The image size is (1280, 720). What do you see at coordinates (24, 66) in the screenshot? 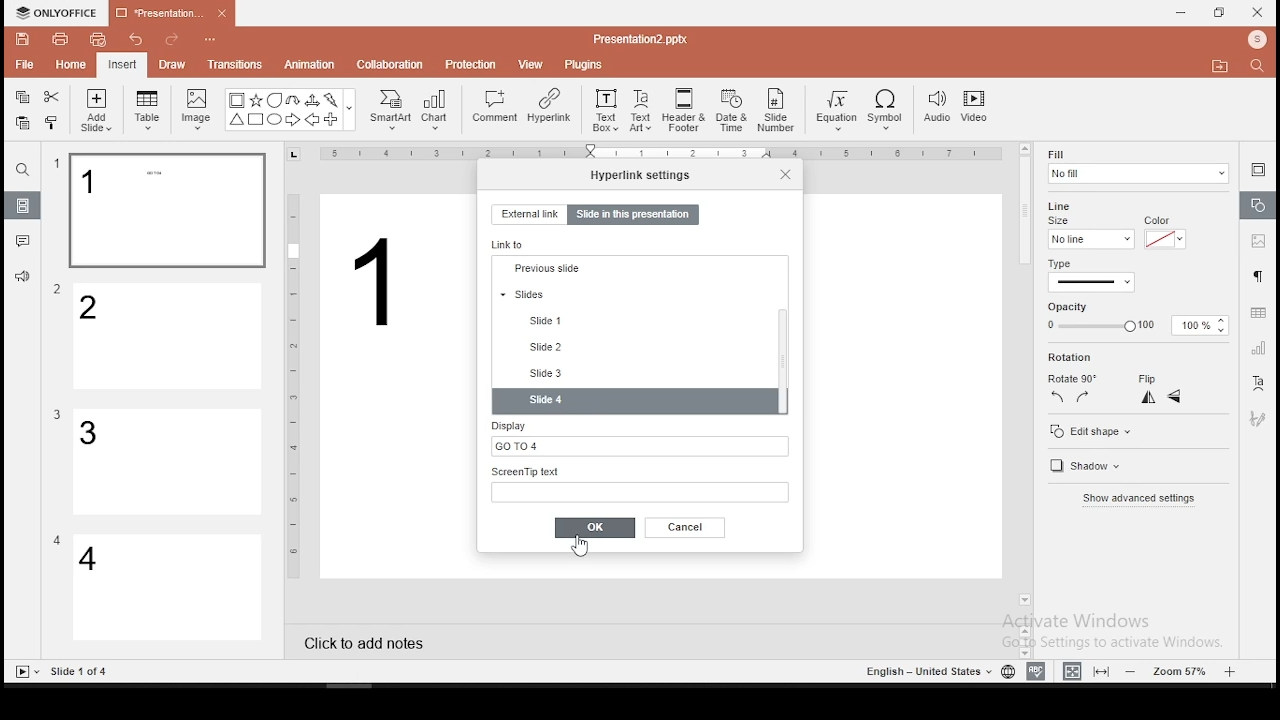
I see `file` at bounding box center [24, 66].